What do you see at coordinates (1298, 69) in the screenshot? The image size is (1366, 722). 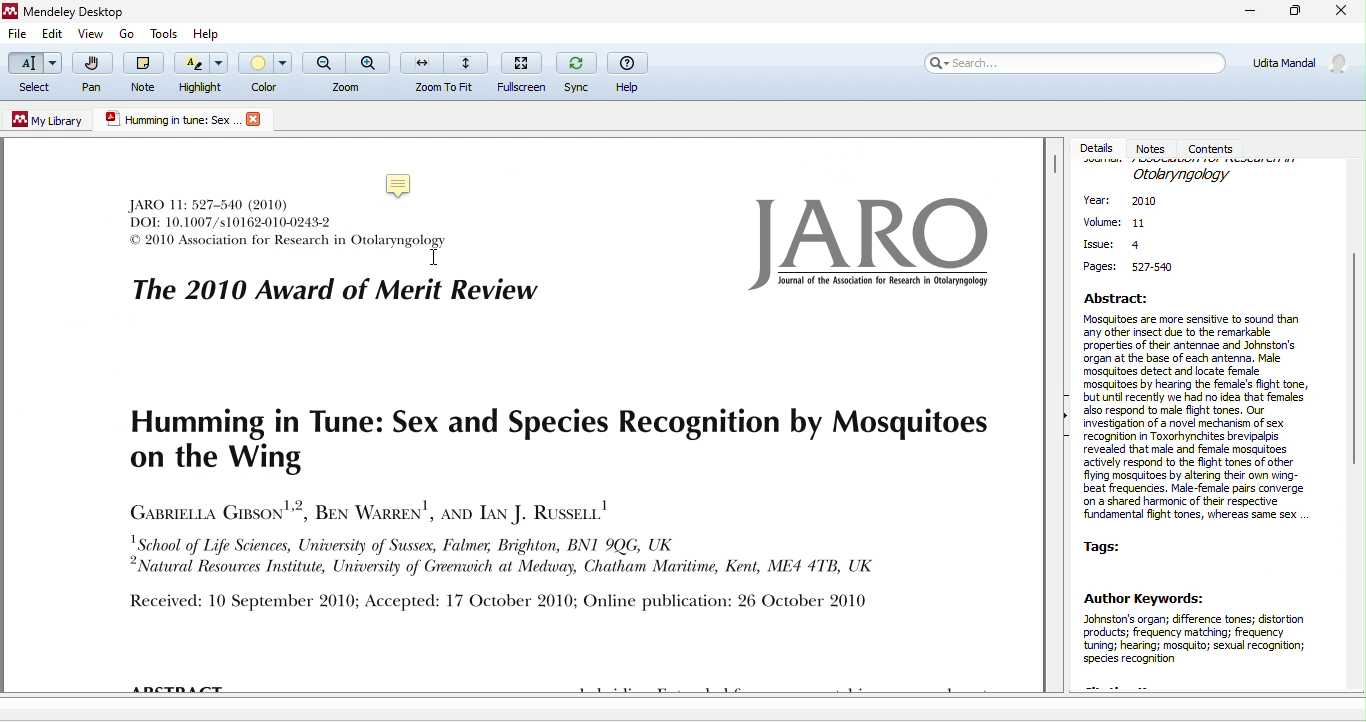 I see `account` at bounding box center [1298, 69].